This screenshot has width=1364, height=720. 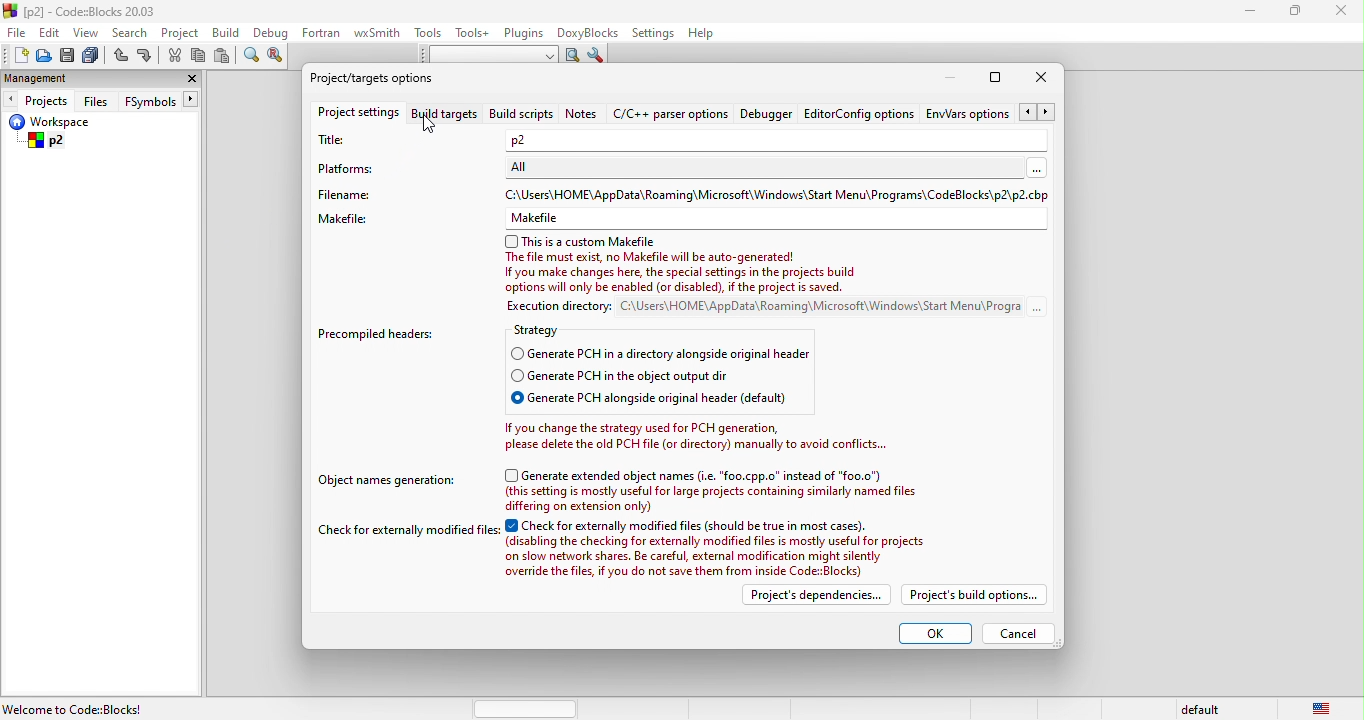 I want to click on tools, so click(x=428, y=33).